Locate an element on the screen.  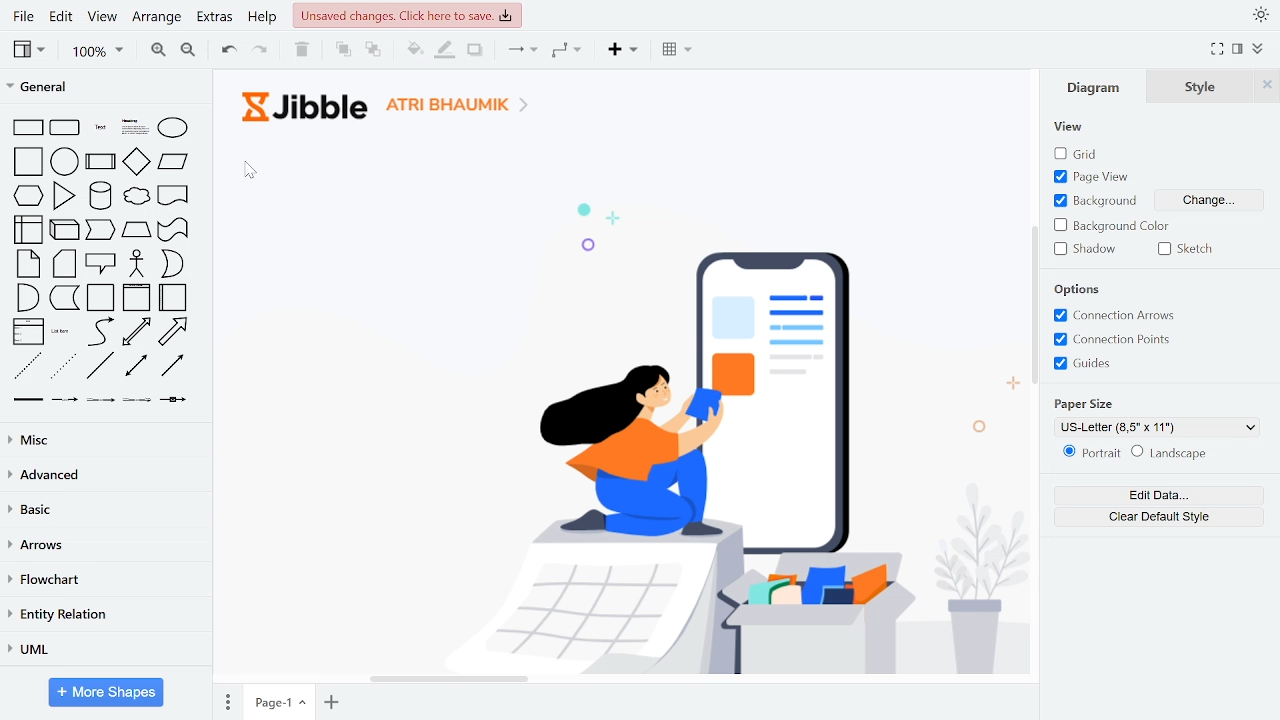
delete is located at coordinates (304, 51).